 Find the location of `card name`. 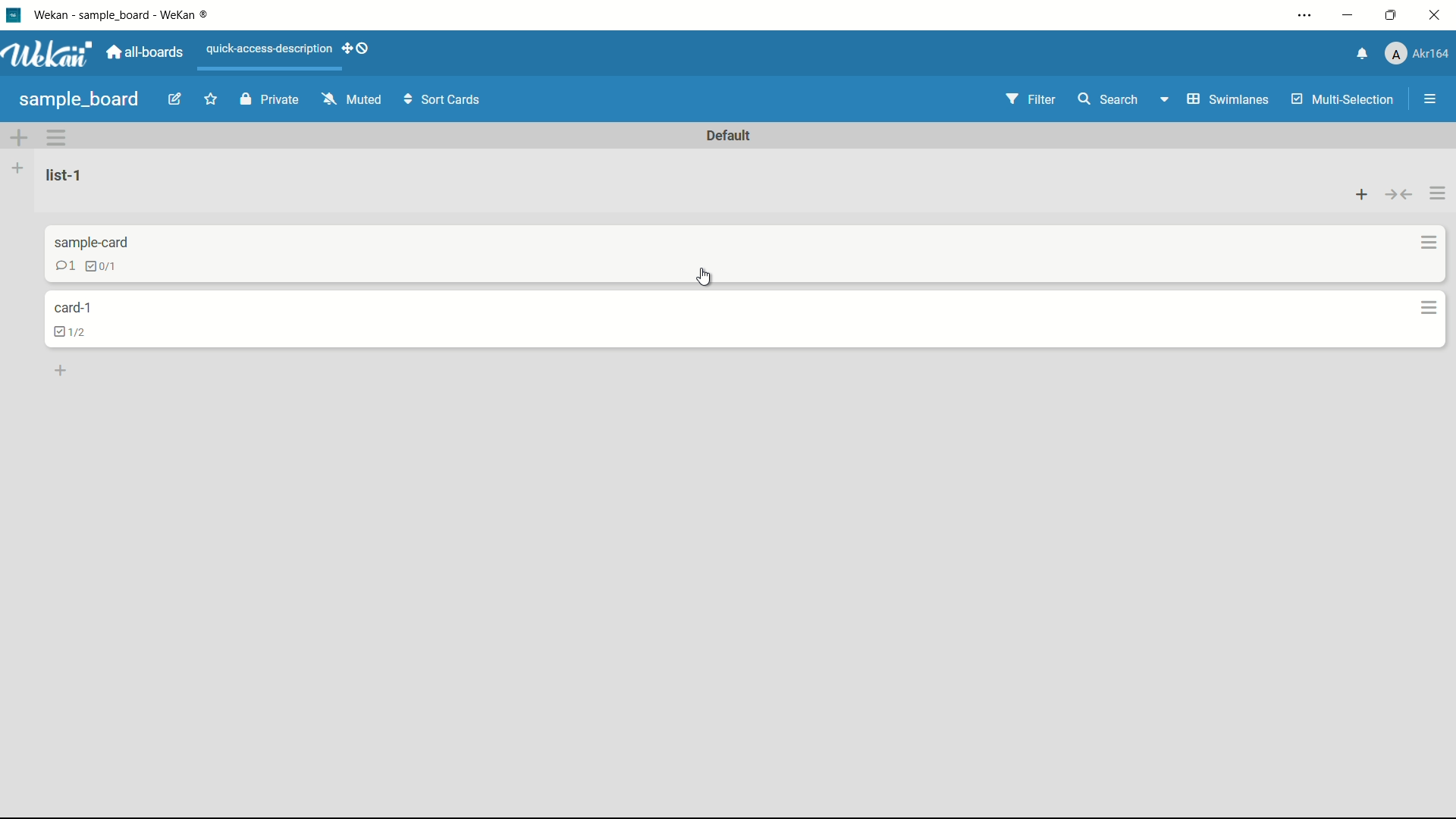

card name is located at coordinates (72, 307).